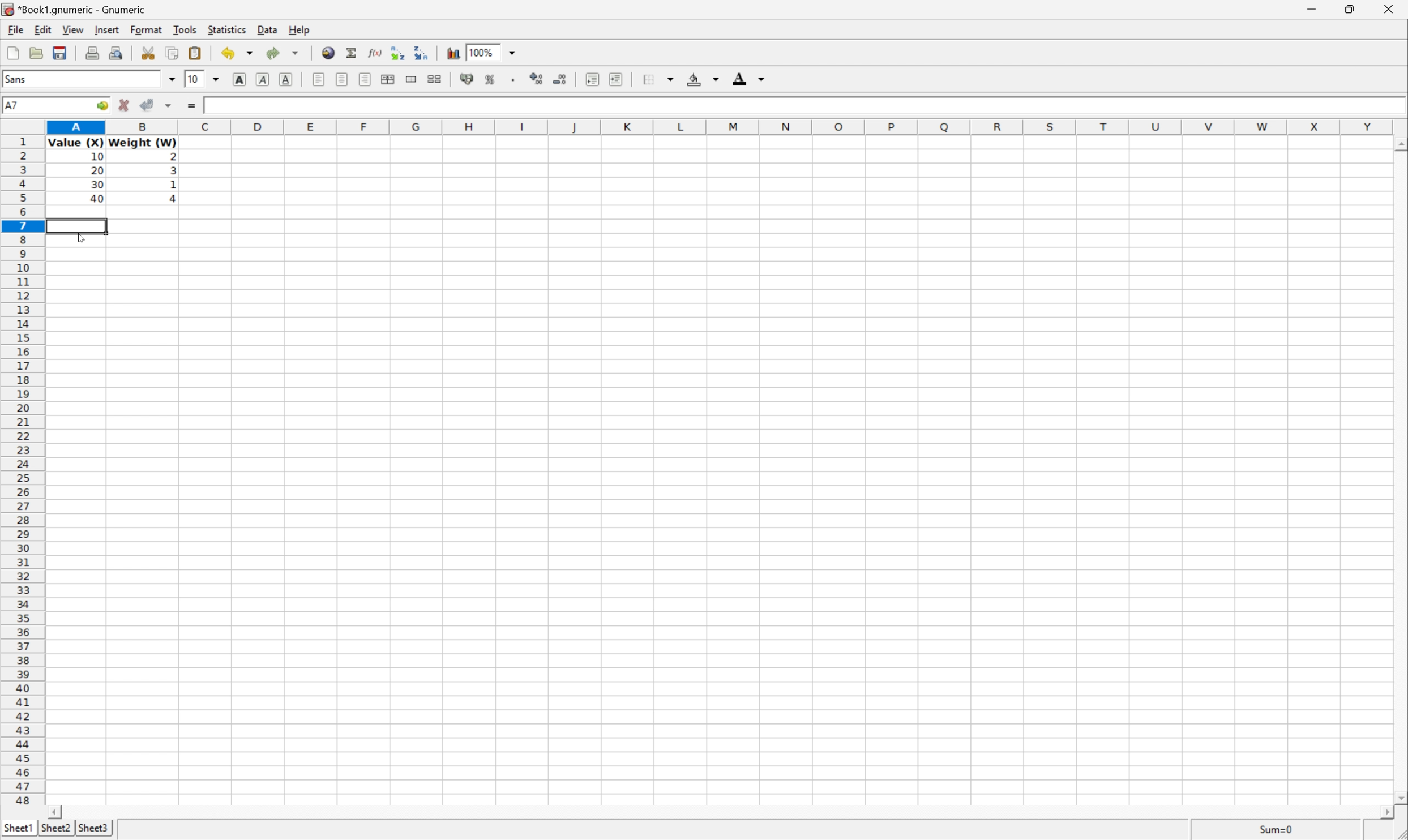  What do you see at coordinates (61, 54) in the screenshot?
I see `Save current workbook` at bounding box center [61, 54].